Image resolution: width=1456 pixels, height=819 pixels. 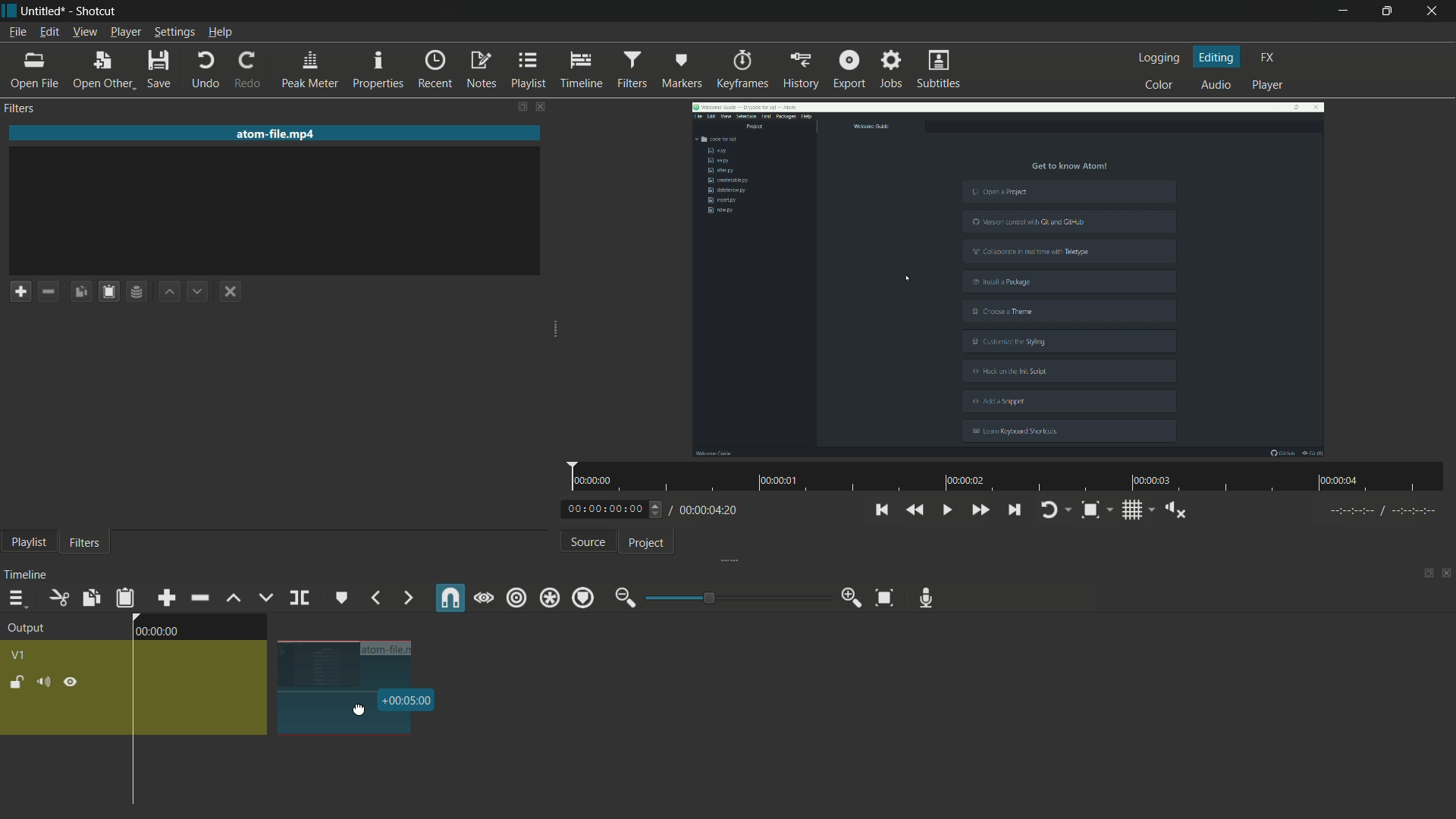 What do you see at coordinates (168, 291) in the screenshot?
I see `move filter up` at bounding box center [168, 291].